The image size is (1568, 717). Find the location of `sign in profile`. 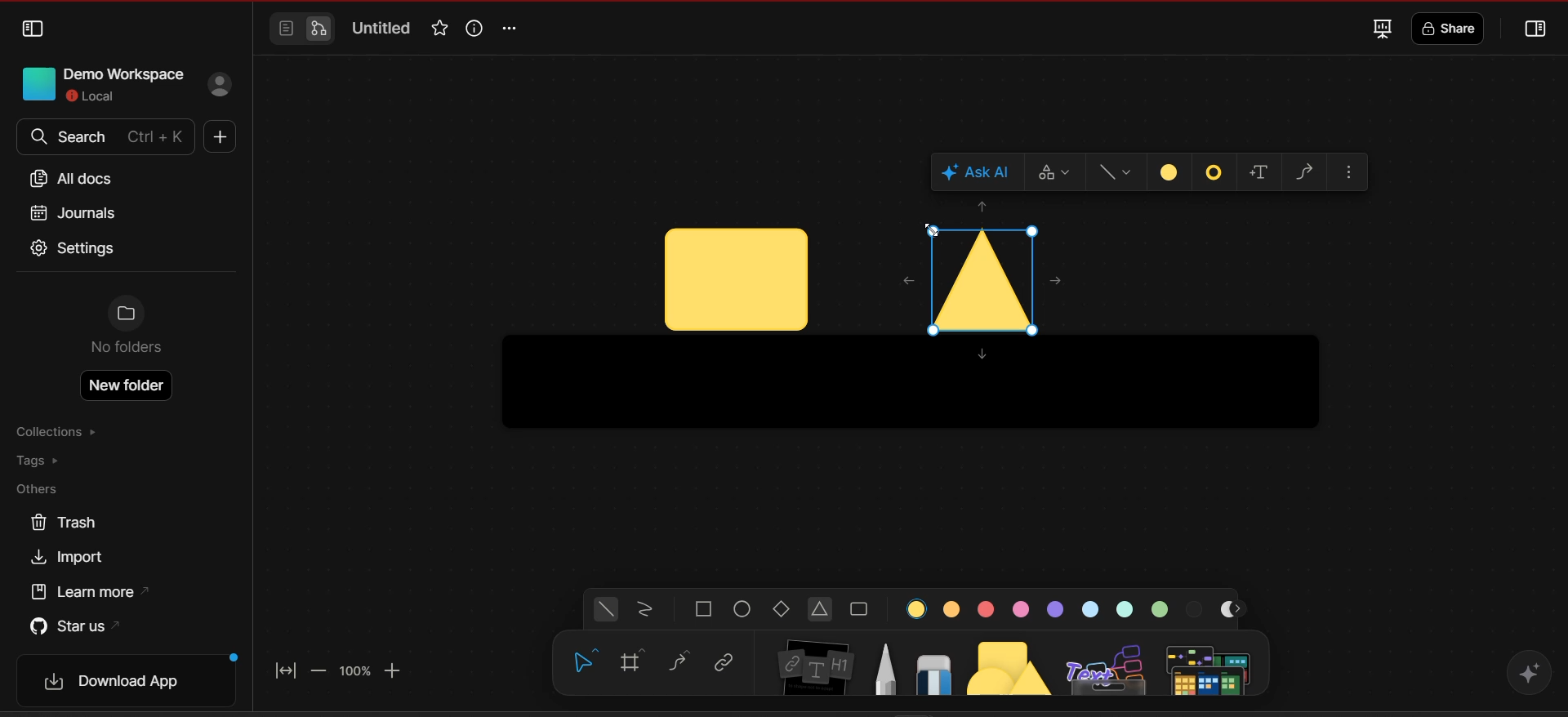

sign in profile is located at coordinates (222, 86).